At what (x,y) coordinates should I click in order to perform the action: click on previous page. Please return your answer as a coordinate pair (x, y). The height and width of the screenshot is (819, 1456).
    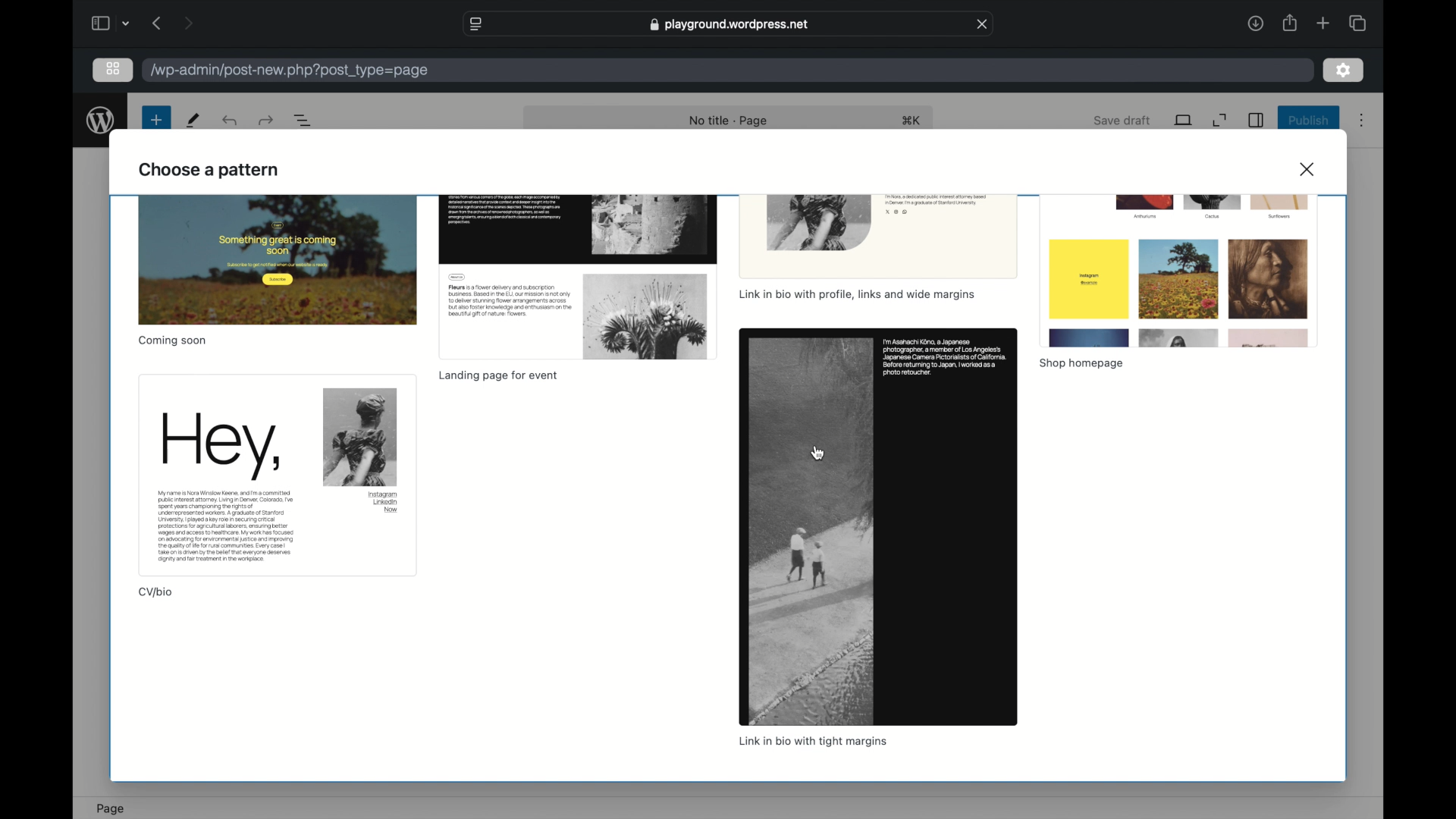
    Looking at the image, I should click on (158, 23).